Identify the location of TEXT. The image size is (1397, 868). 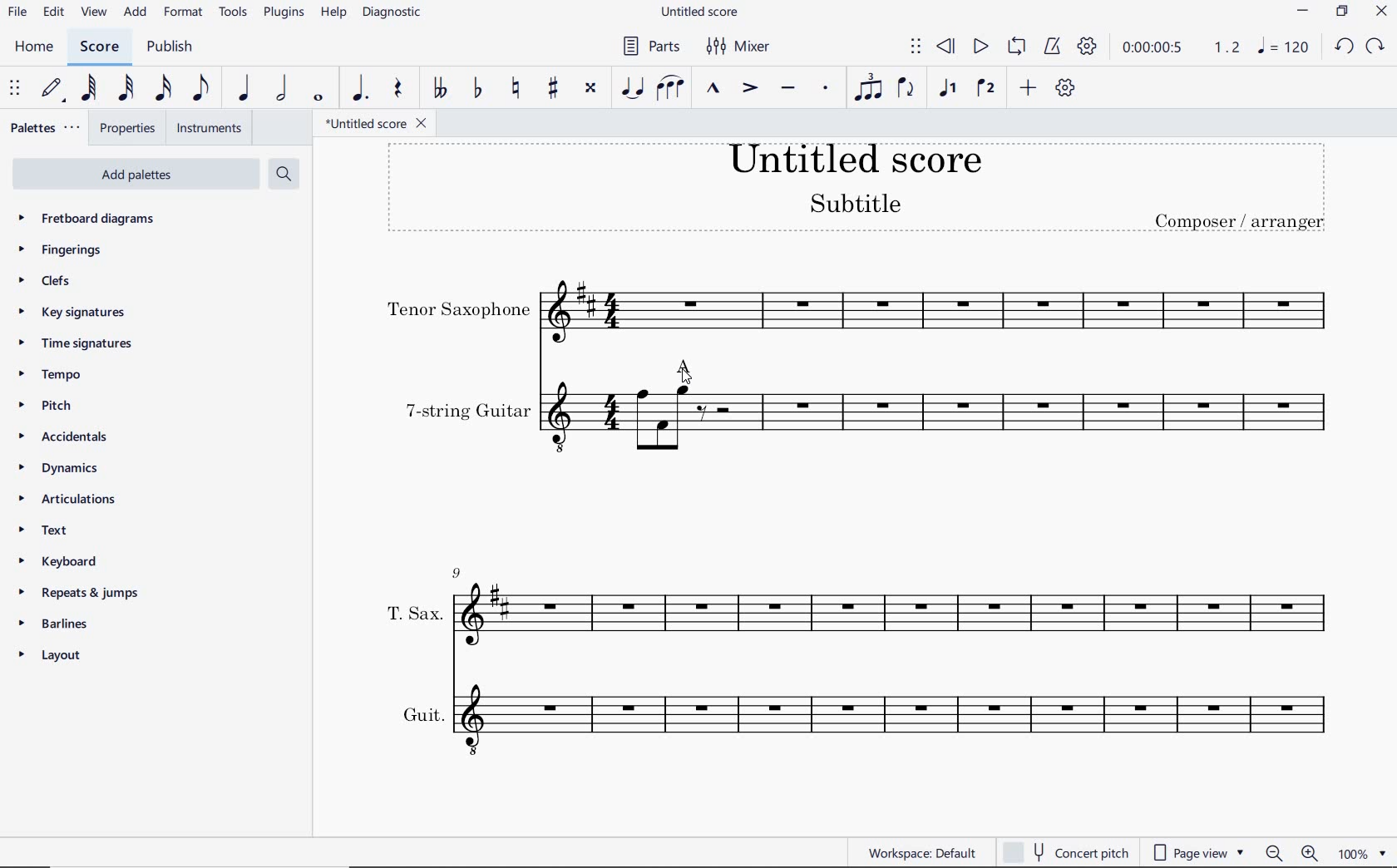
(54, 530).